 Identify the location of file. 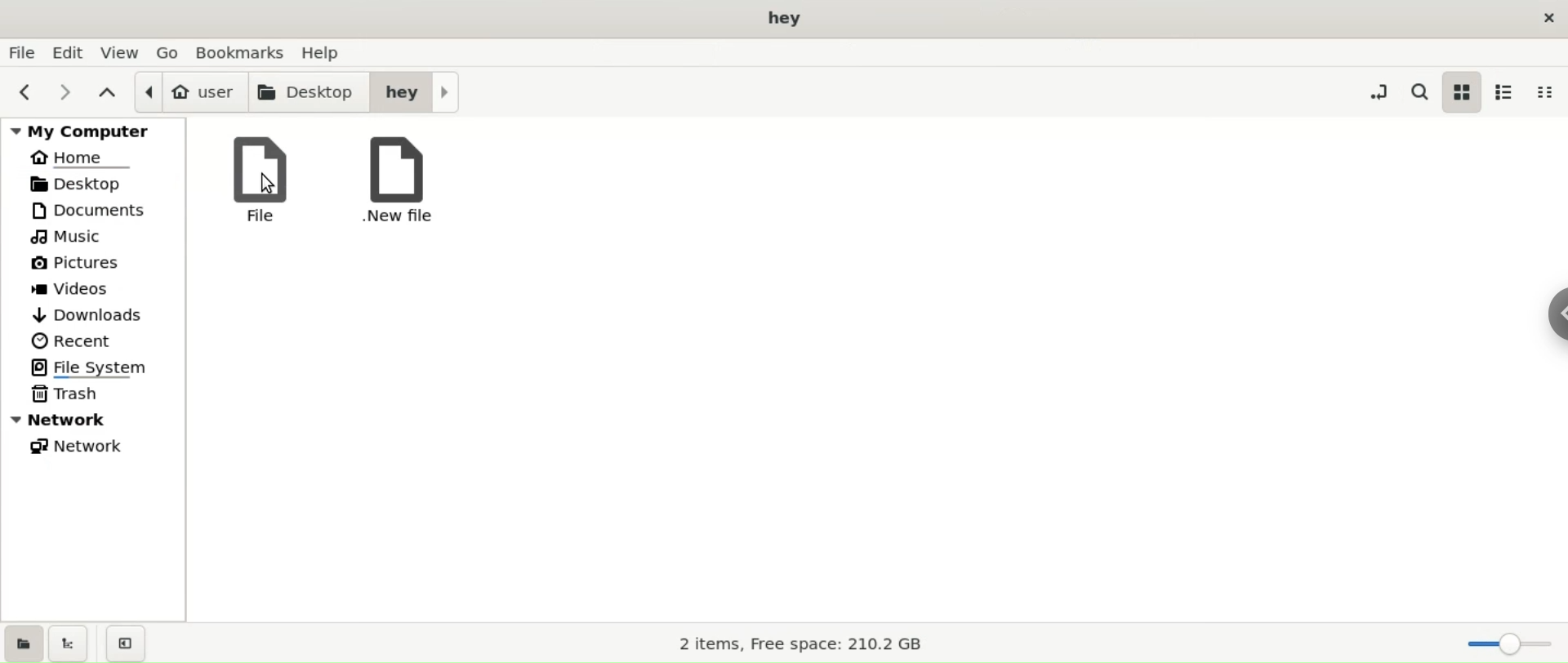
(256, 178).